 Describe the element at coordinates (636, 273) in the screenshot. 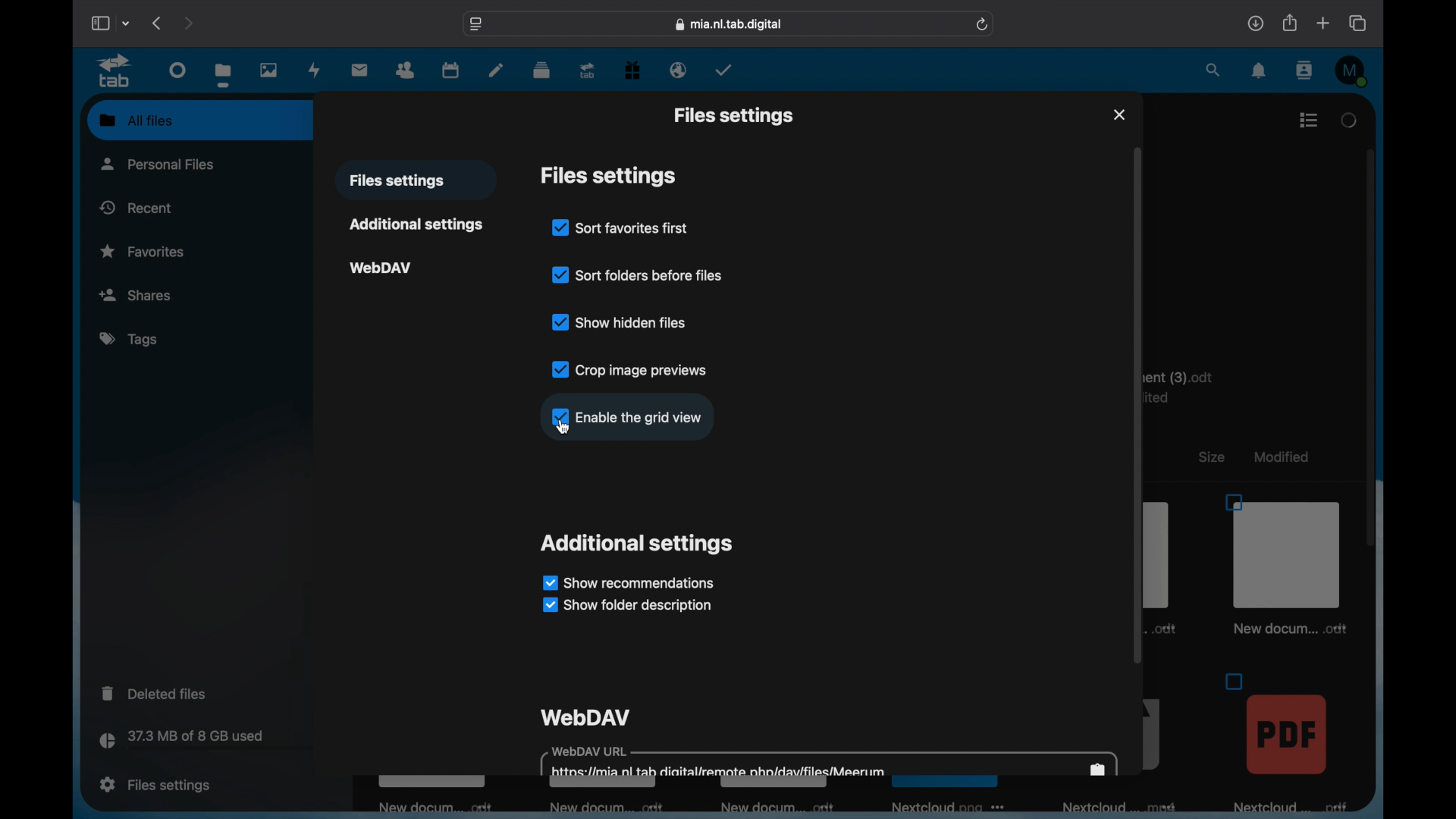

I see `show folders before files` at that location.